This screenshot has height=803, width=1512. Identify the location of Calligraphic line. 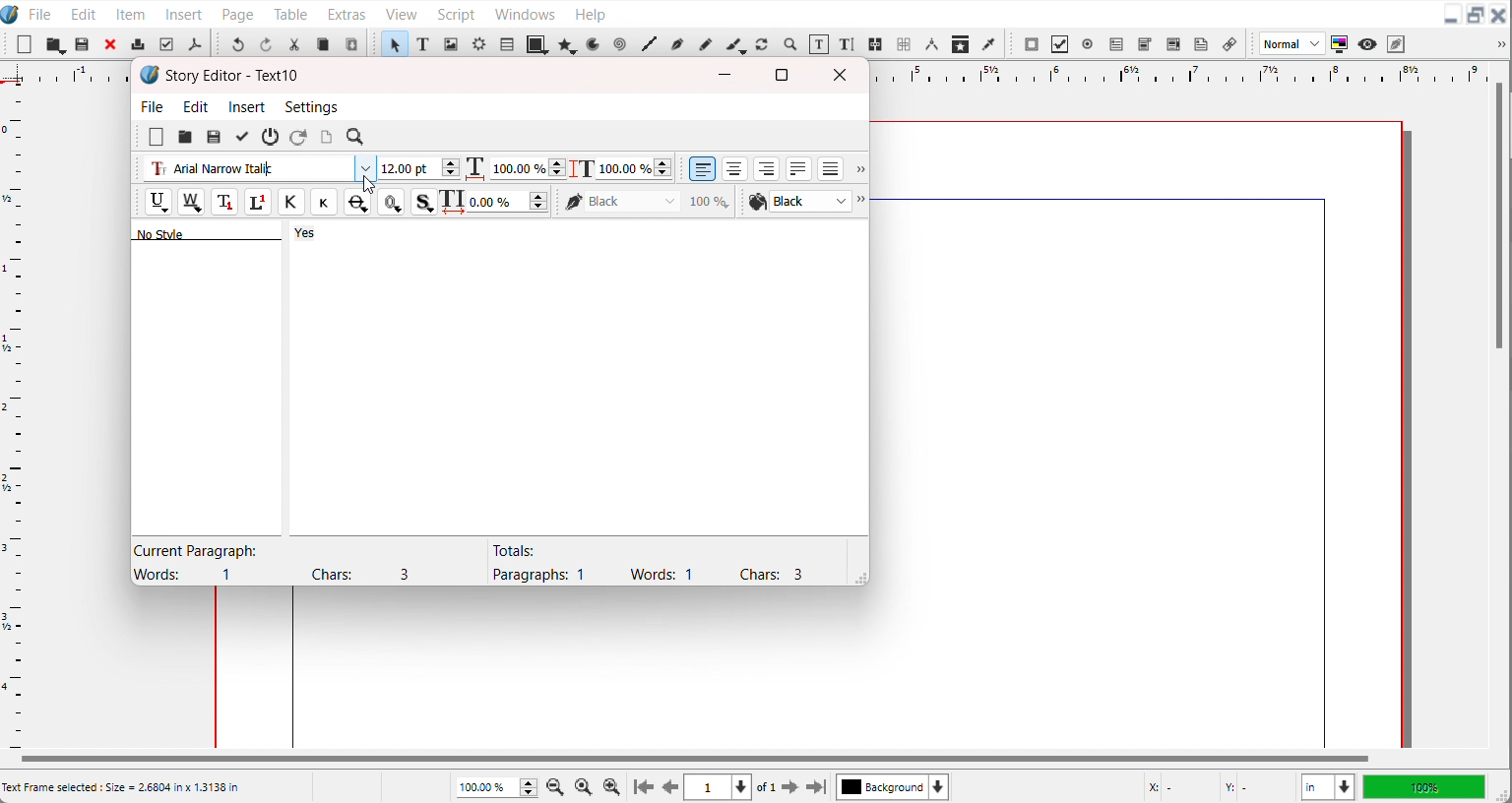
(735, 45).